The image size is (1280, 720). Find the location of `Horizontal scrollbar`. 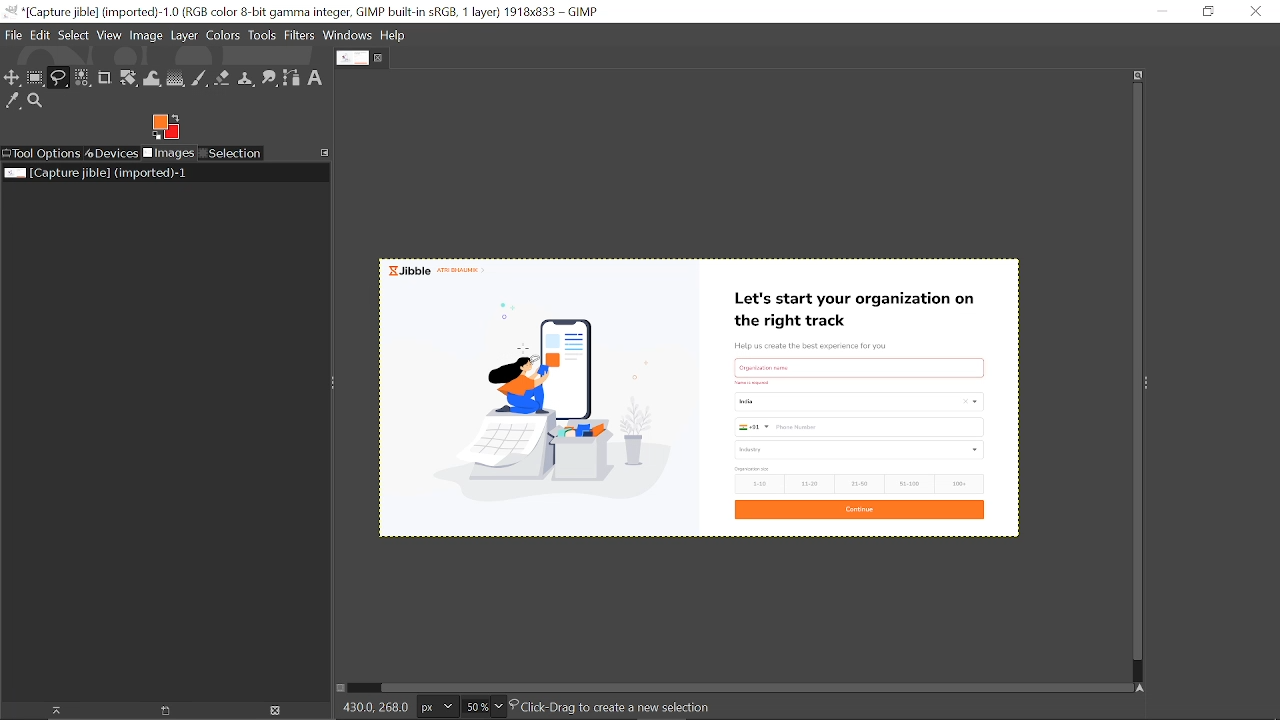

Horizontal scrollbar is located at coordinates (759, 686).